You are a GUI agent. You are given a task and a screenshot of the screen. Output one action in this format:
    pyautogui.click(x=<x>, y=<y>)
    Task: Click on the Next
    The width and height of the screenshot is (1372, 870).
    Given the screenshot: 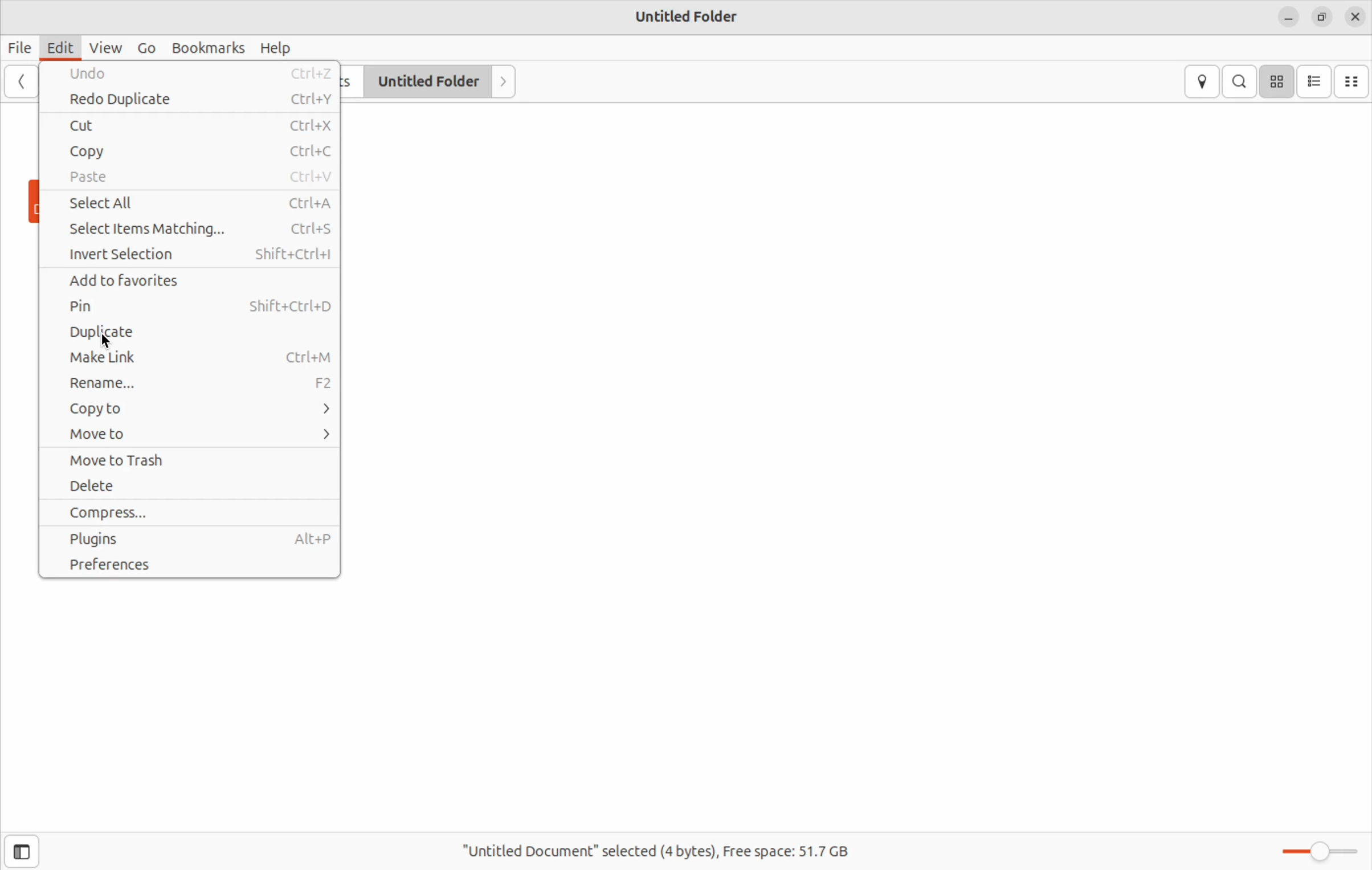 What is the action you would take?
    pyautogui.click(x=502, y=81)
    